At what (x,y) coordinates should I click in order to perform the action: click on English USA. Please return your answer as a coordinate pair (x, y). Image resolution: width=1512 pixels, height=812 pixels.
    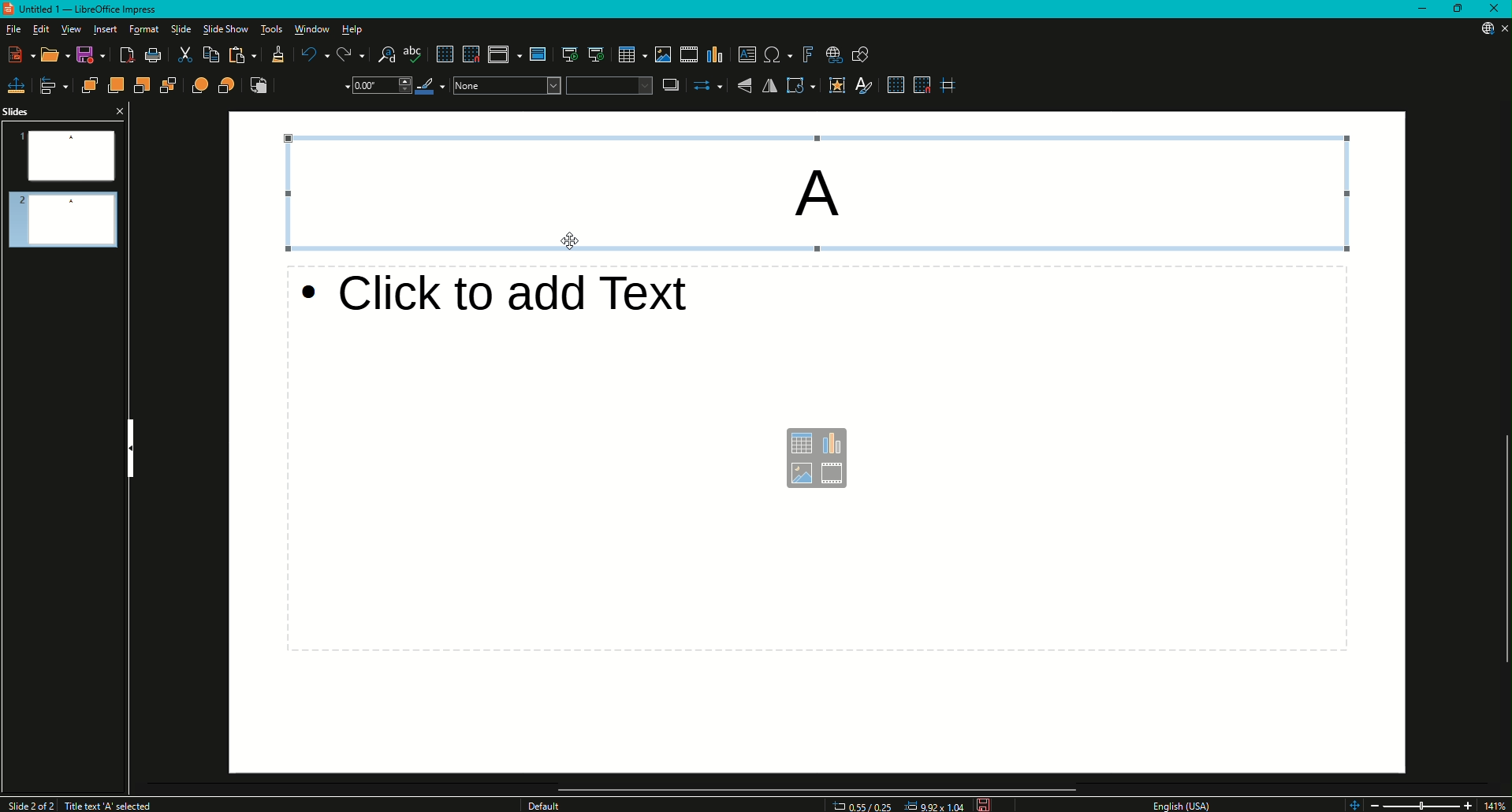
    Looking at the image, I should click on (1186, 804).